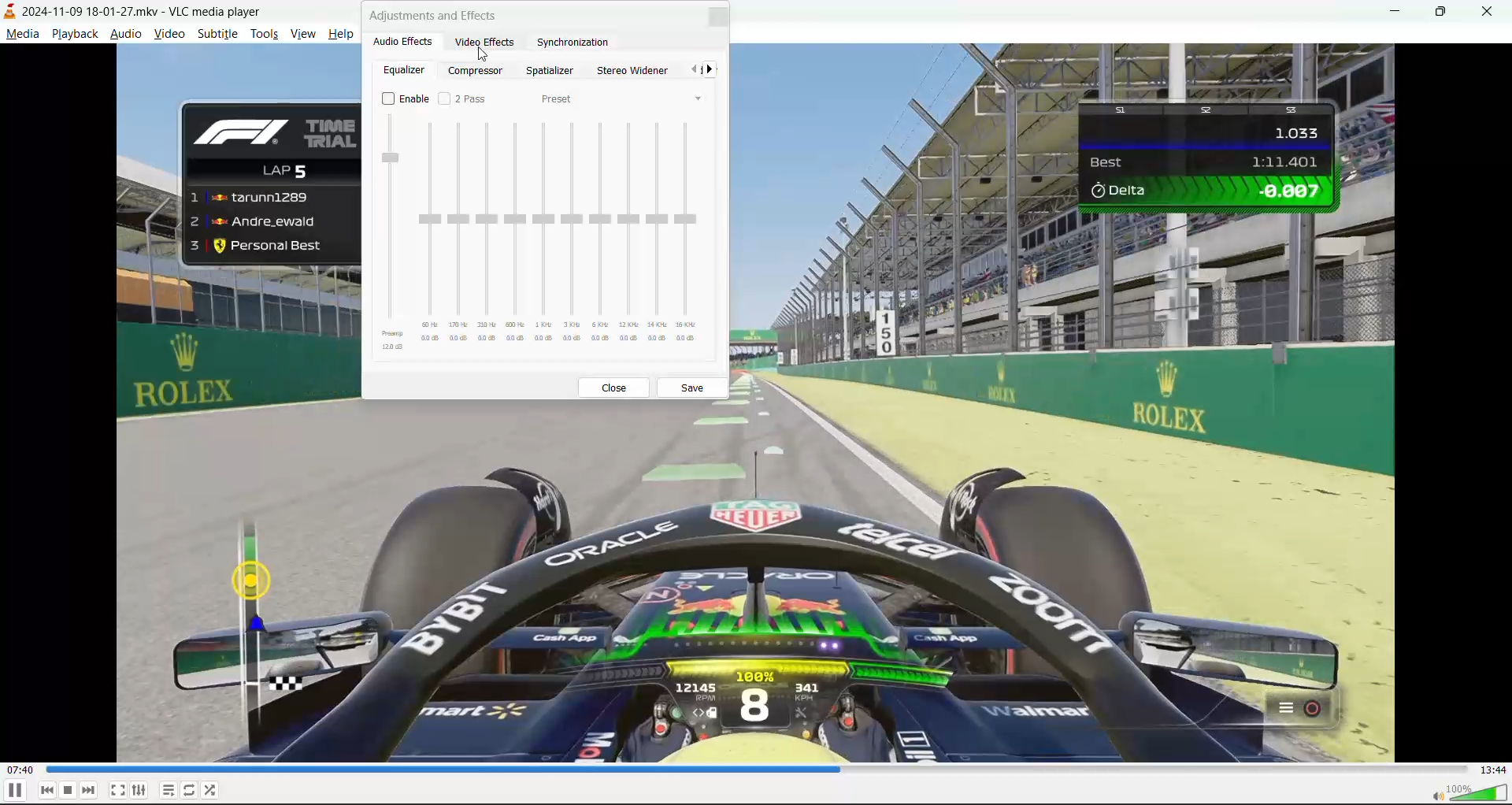  I want to click on close, so click(717, 18).